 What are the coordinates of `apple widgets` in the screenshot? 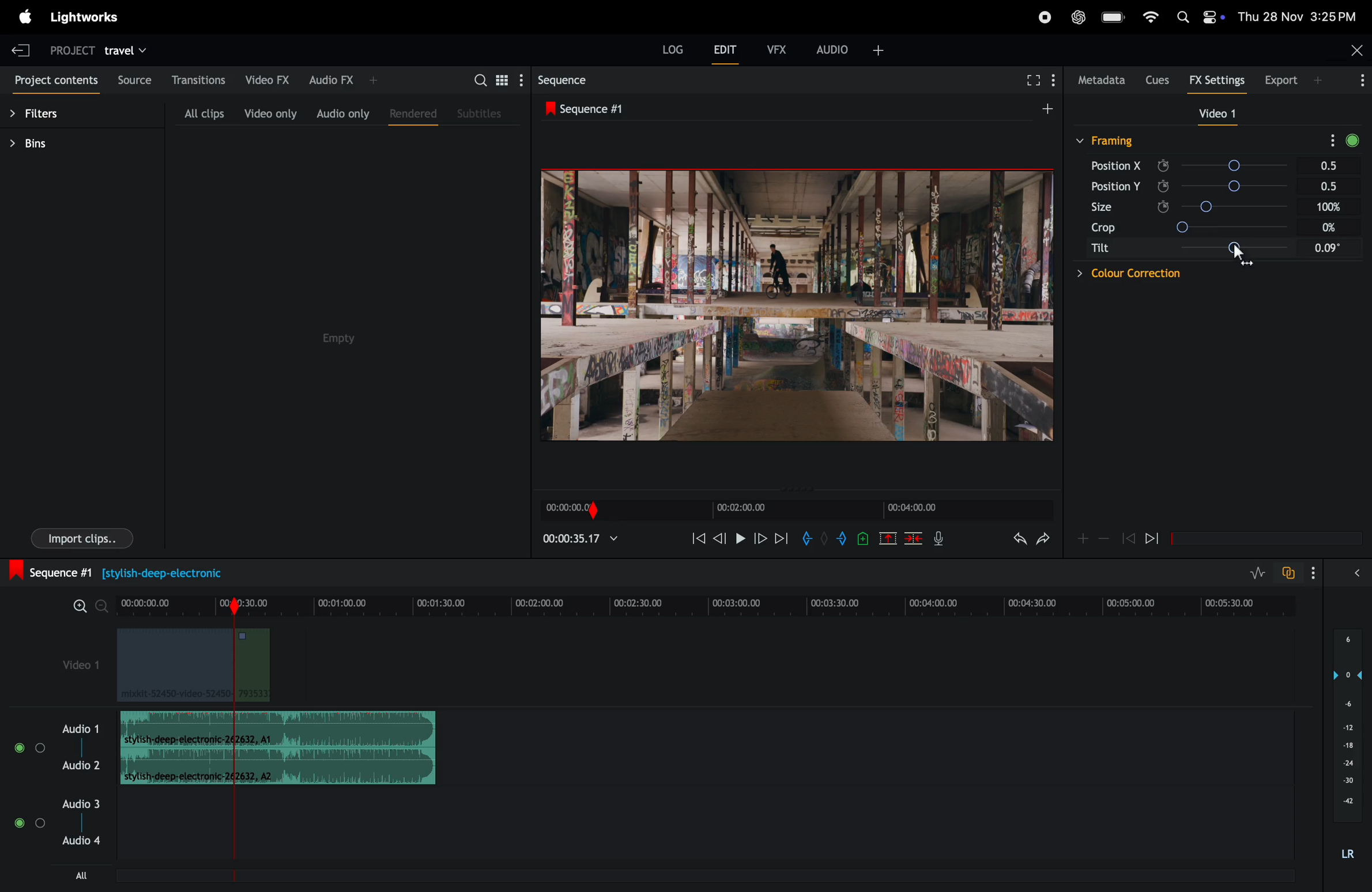 It's located at (1197, 18).